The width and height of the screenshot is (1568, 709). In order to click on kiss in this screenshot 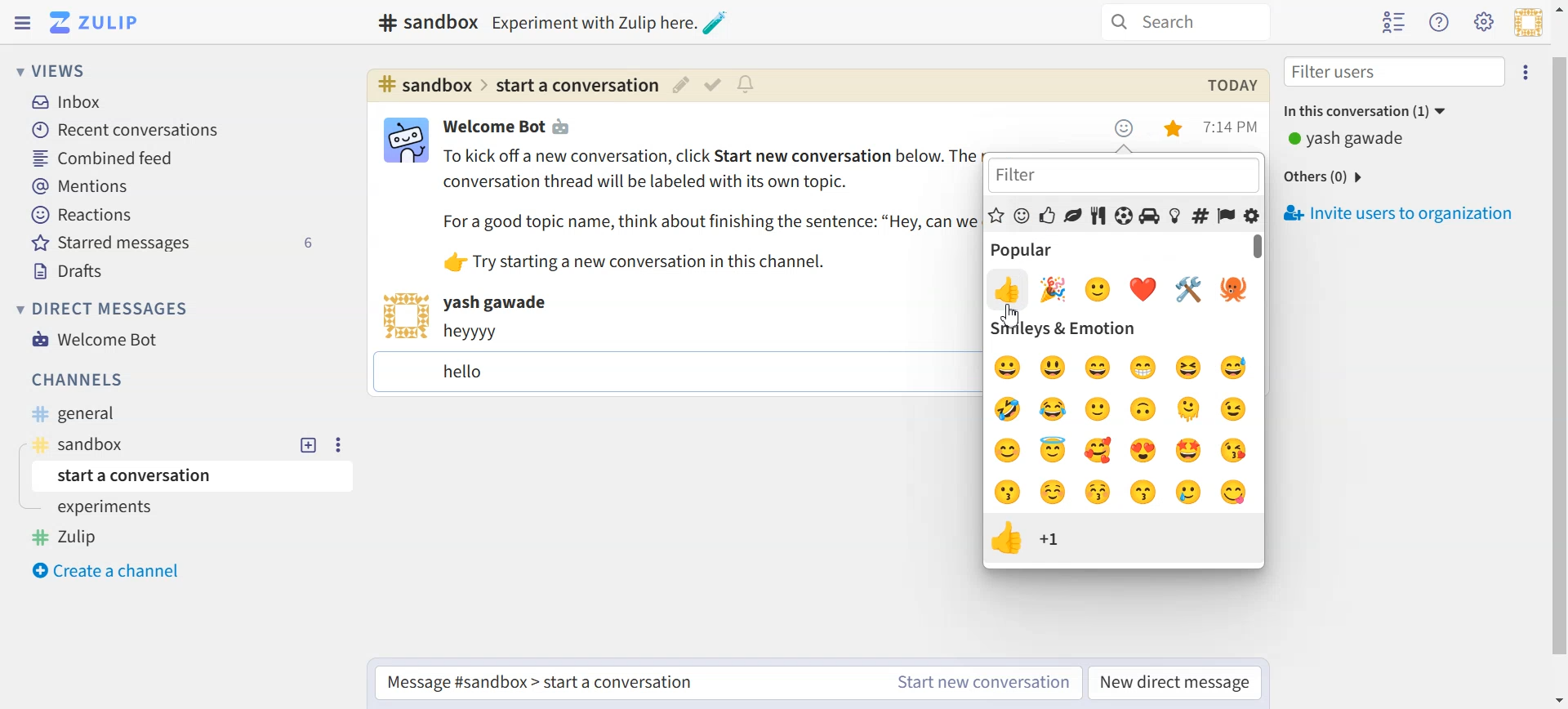, I will do `click(1009, 493)`.